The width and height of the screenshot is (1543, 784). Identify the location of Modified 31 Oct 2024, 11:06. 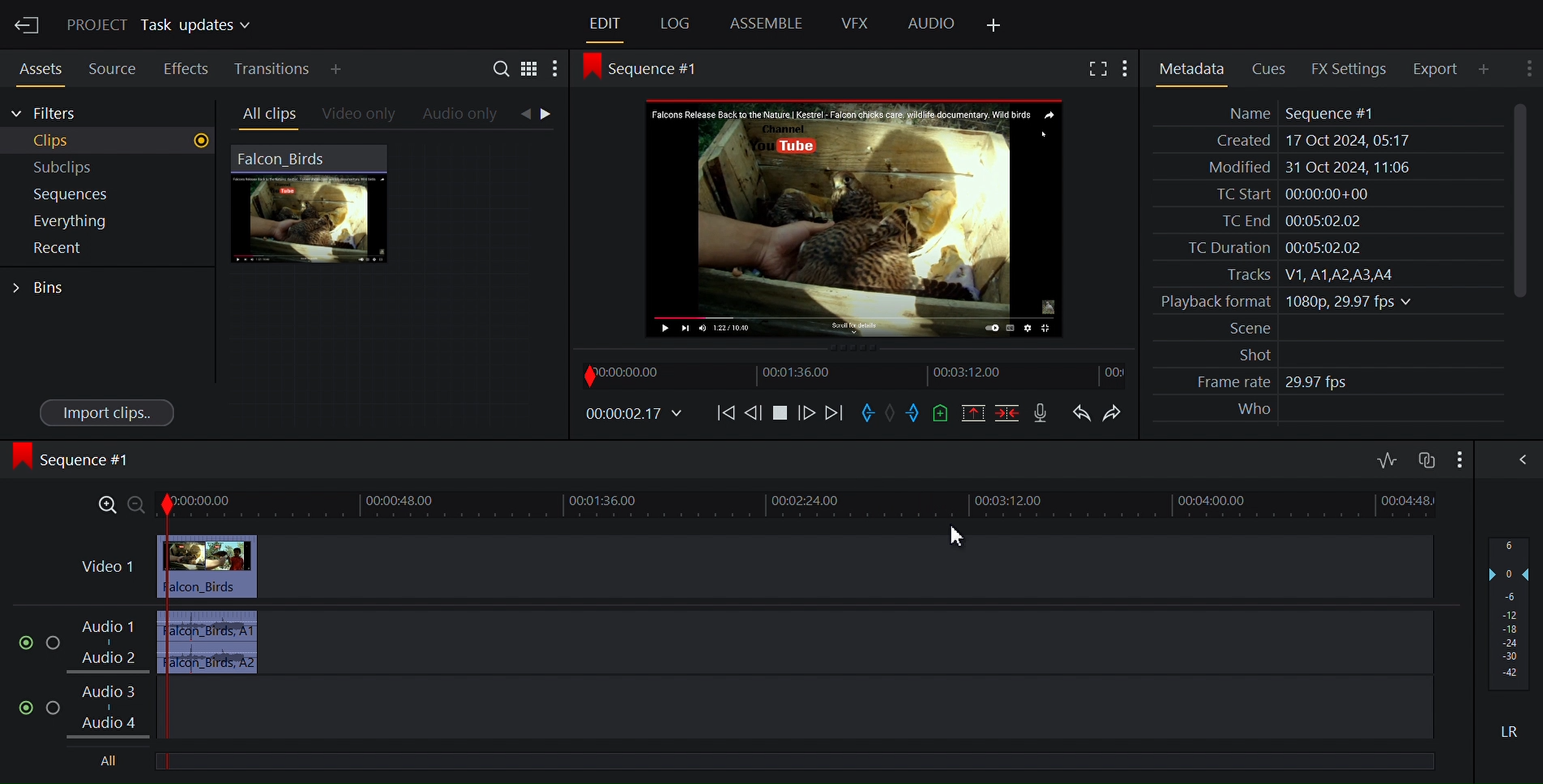
(1301, 168).